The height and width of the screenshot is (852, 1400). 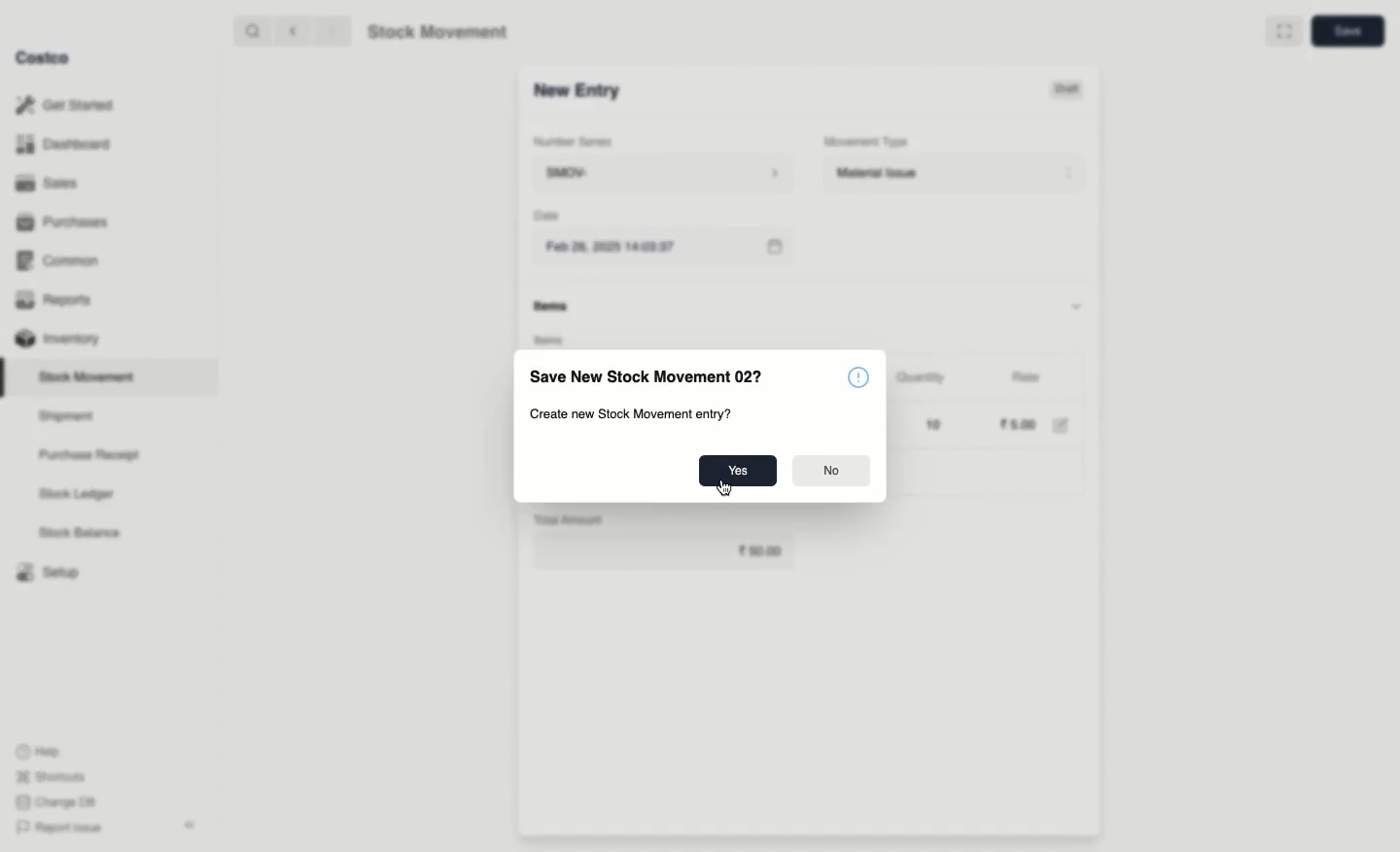 I want to click on Emblem, so click(x=857, y=377).